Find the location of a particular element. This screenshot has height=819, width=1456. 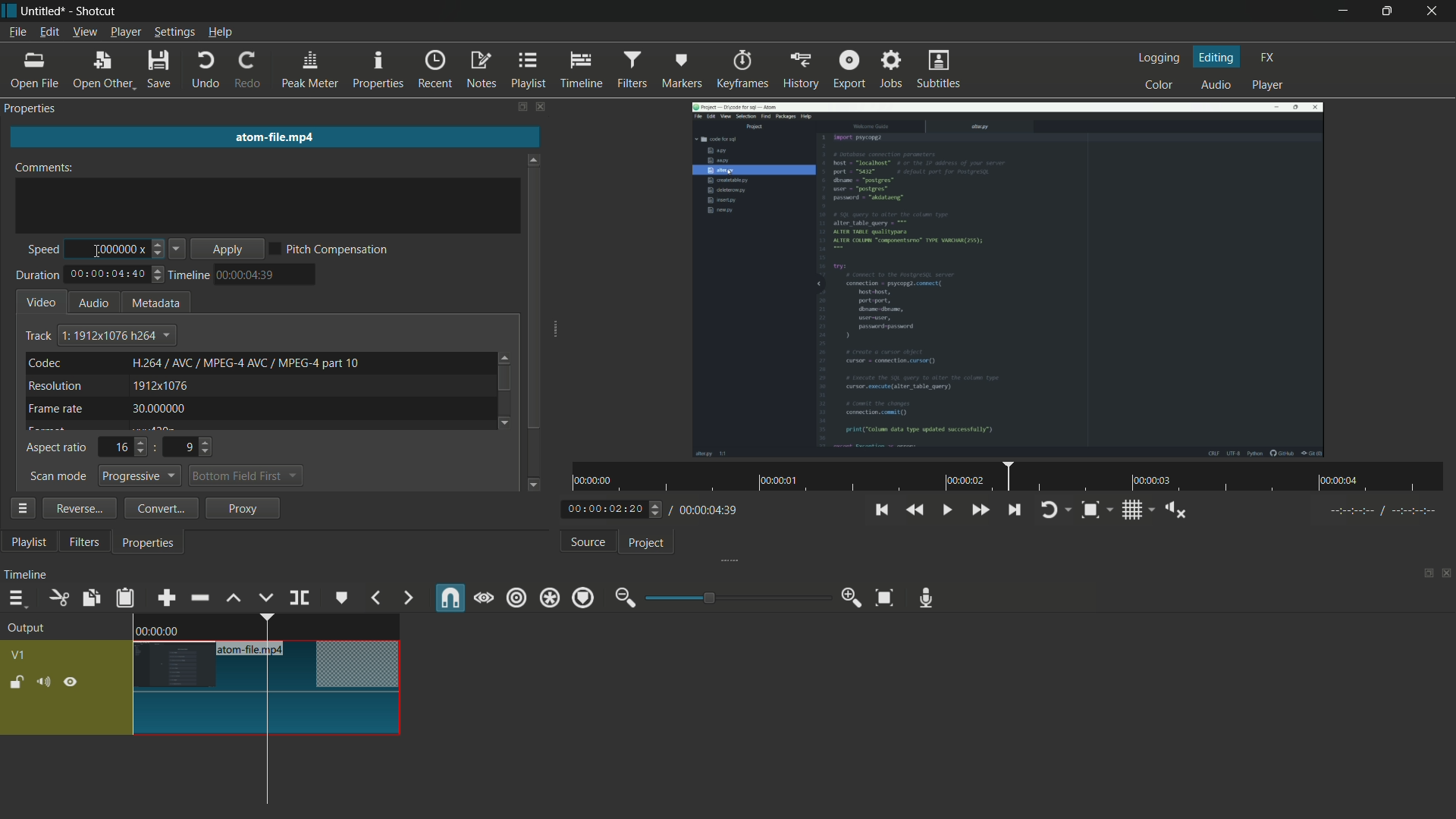

current time is located at coordinates (607, 510).